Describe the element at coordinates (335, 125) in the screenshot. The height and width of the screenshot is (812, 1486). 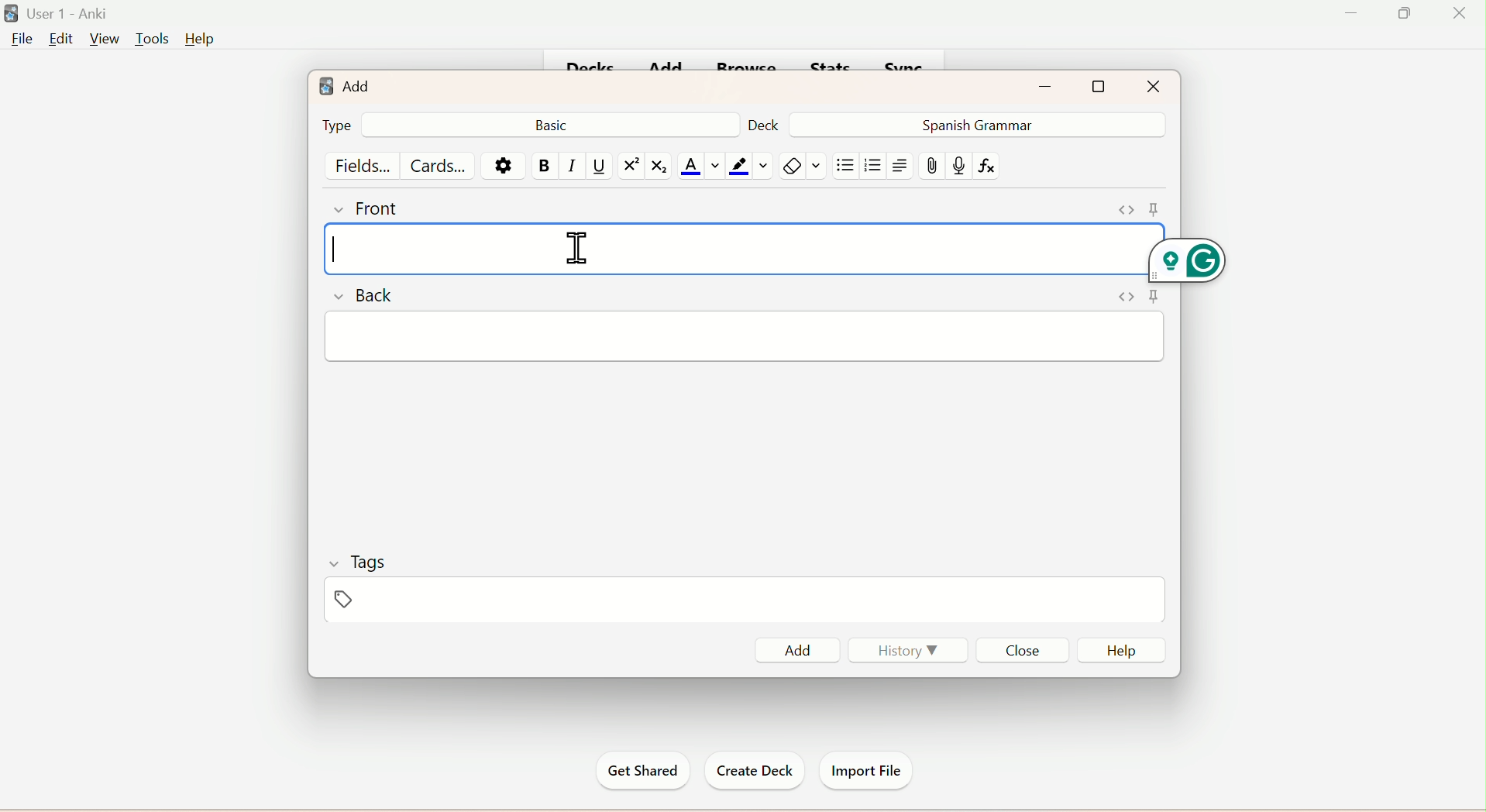
I see `Type` at that location.